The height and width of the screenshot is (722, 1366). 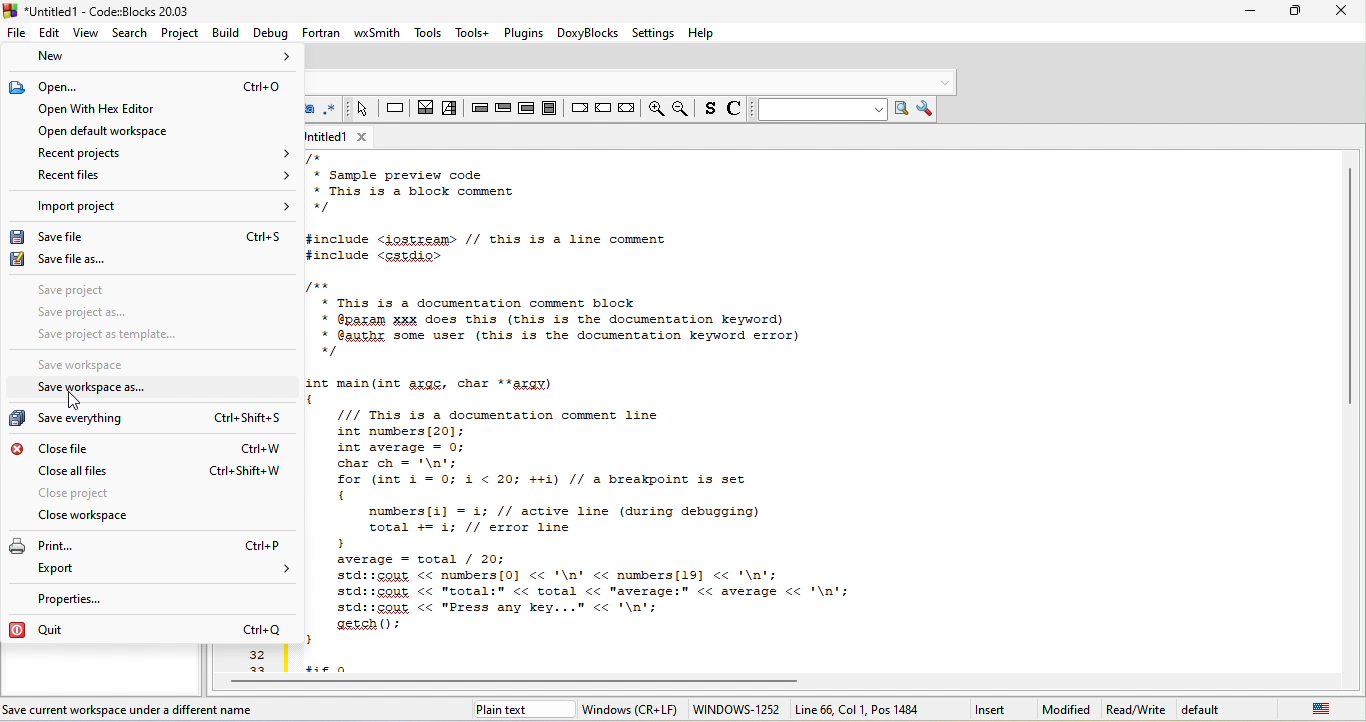 I want to click on search, so click(x=130, y=32).